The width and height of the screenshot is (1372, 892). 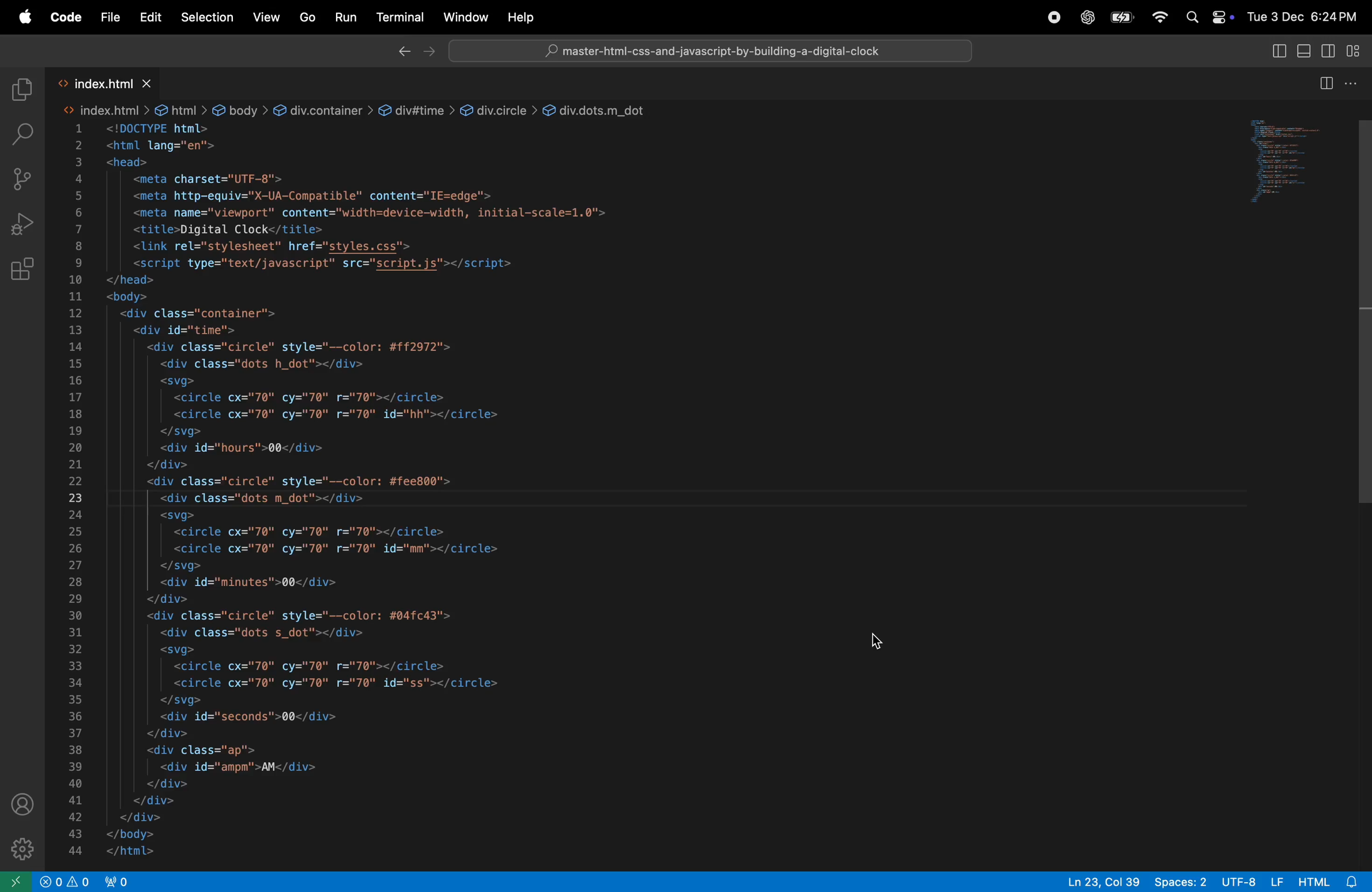 What do you see at coordinates (181, 109) in the screenshot?
I see `html` at bounding box center [181, 109].